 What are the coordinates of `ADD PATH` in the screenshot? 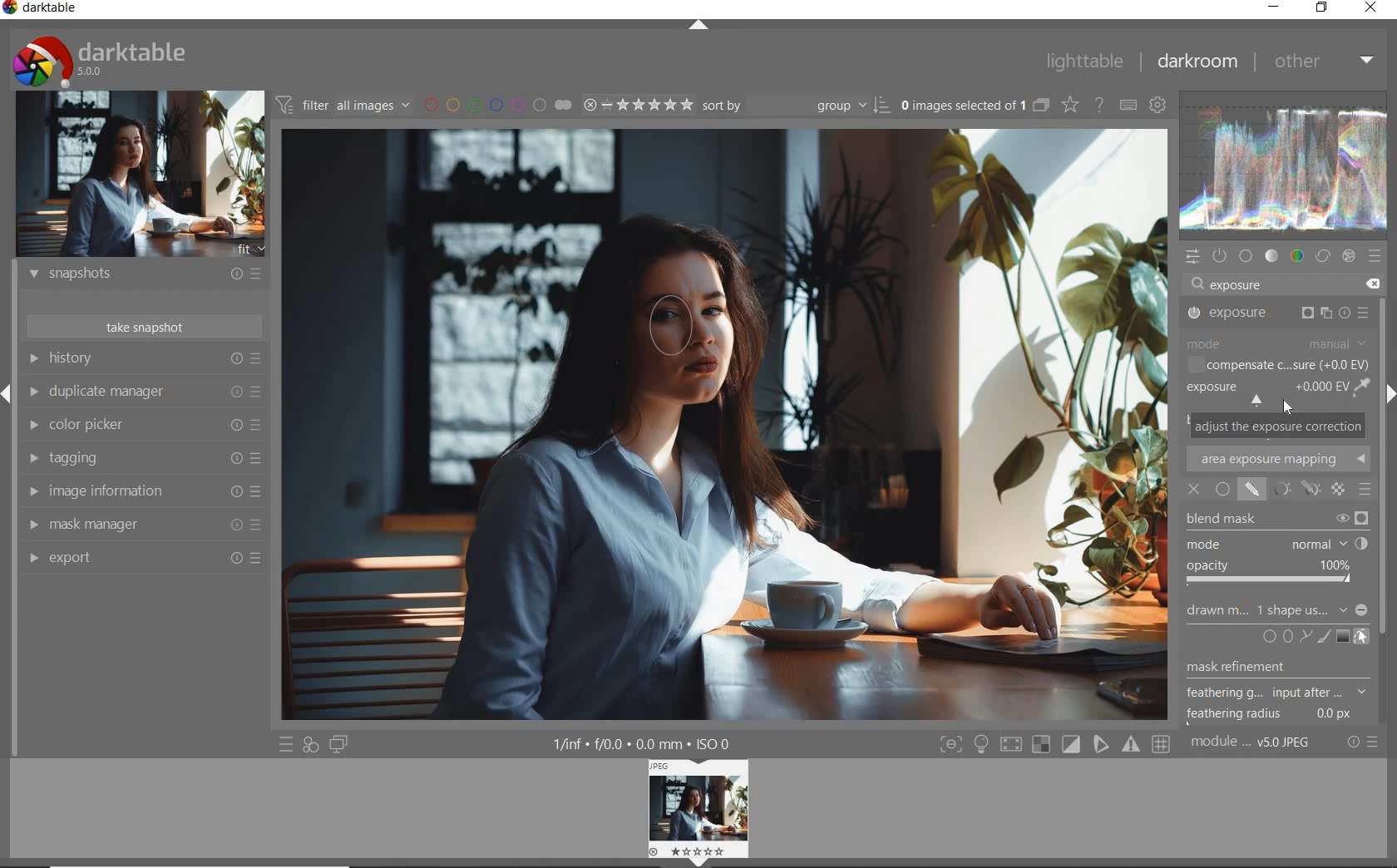 It's located at (1303, 638).